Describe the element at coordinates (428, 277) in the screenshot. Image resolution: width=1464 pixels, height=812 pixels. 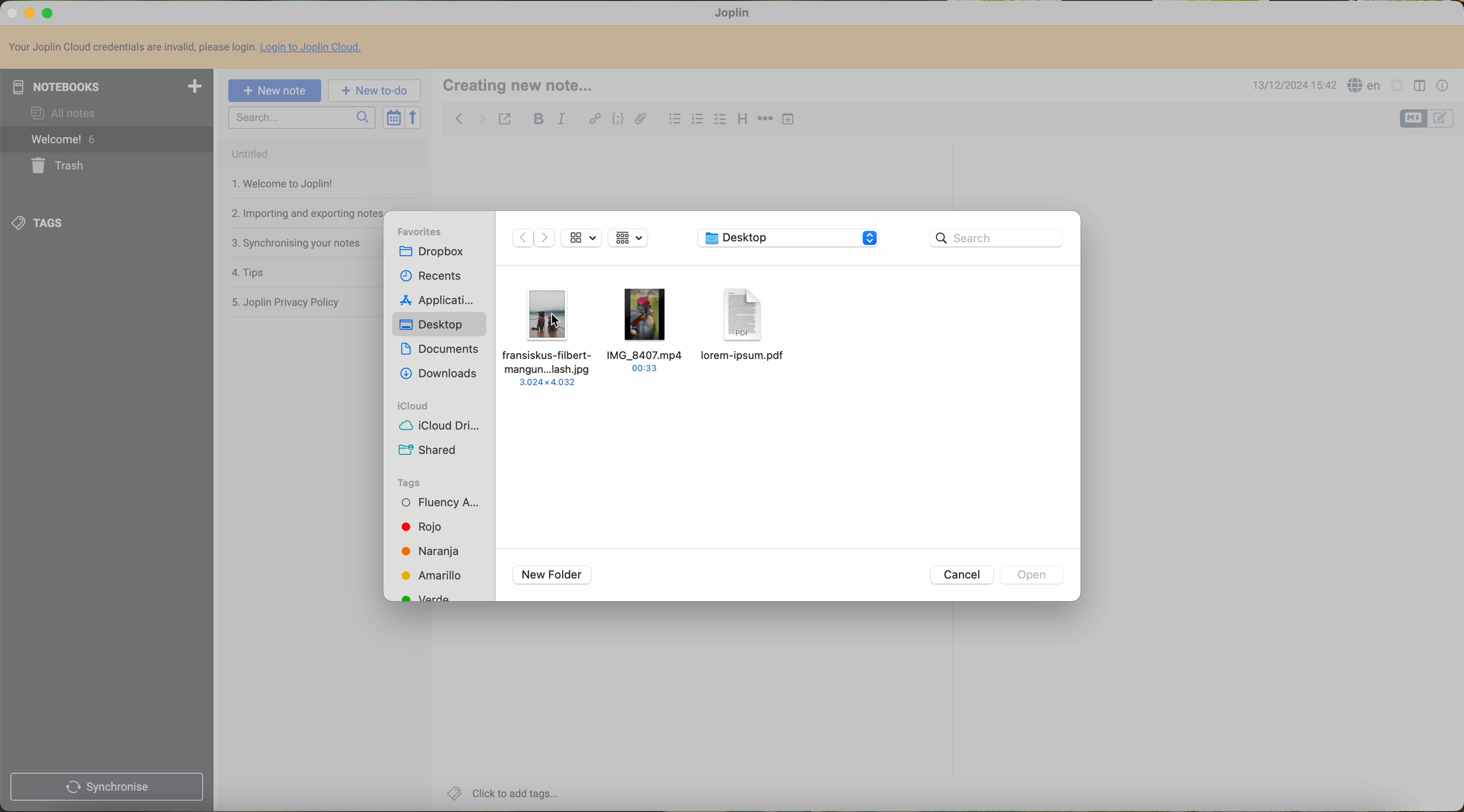
I see `recents` at that location.